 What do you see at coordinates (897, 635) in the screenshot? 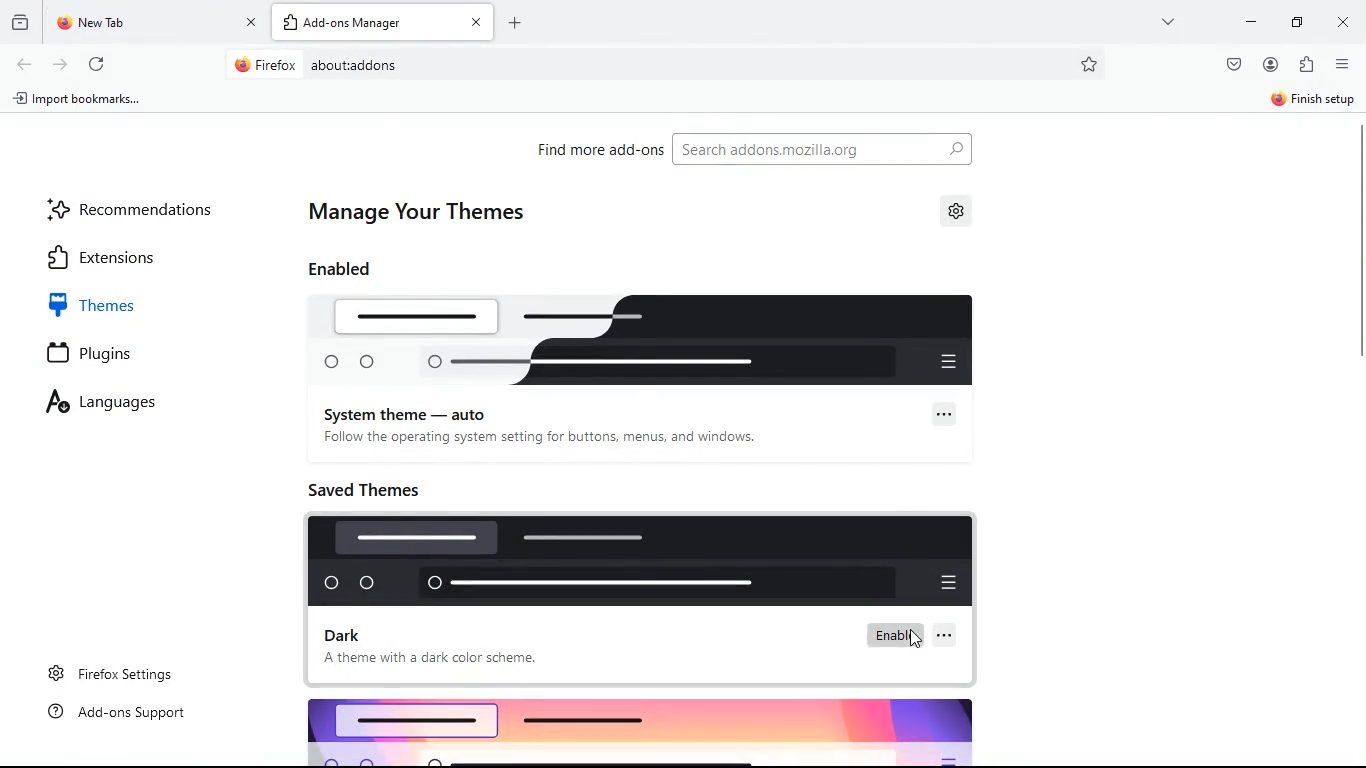
I see `enable` at bounding box center [897, 635].